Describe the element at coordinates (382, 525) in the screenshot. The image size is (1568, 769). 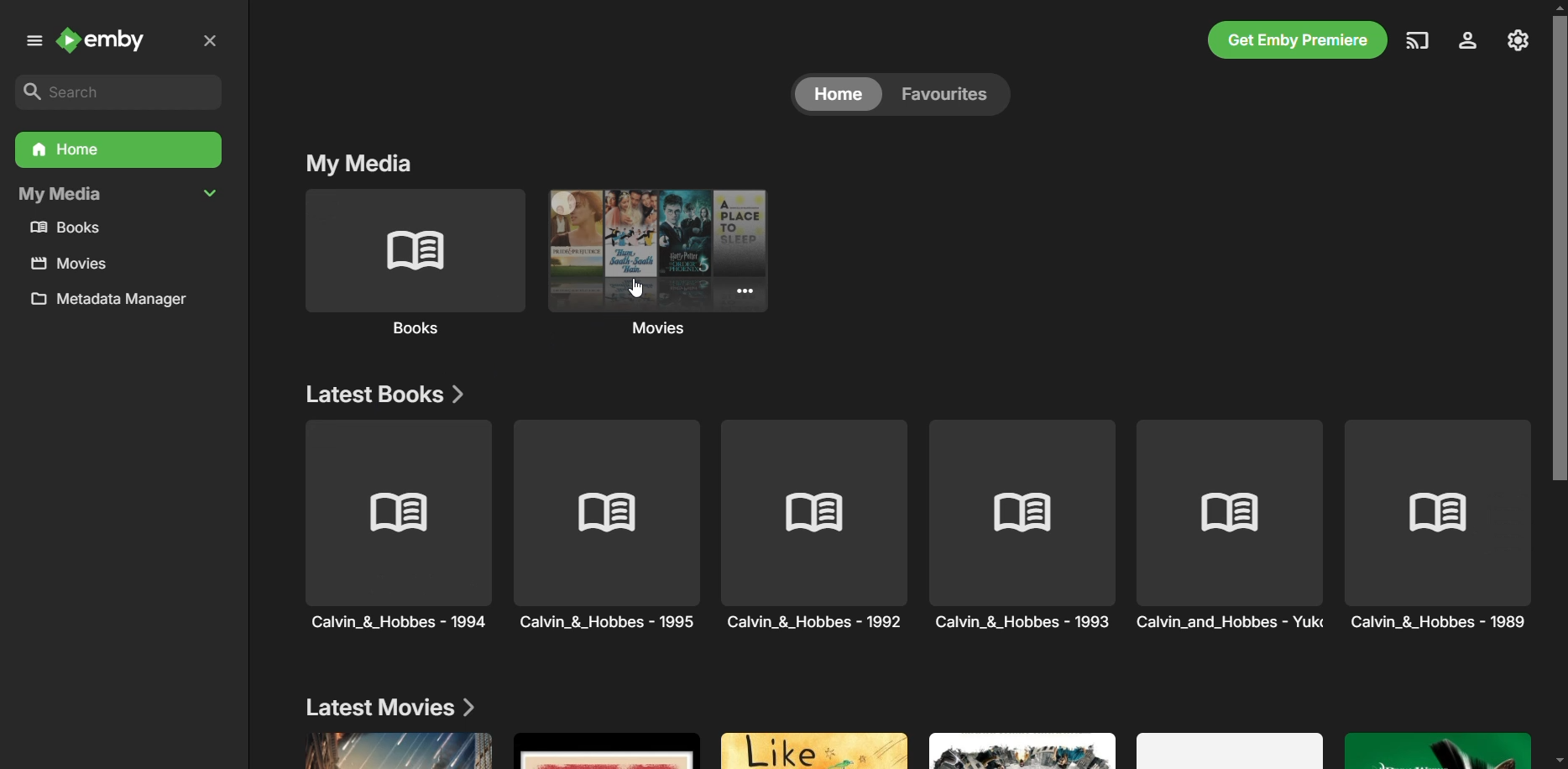
I see `Available Books under section 'Latest Books'` at that location.